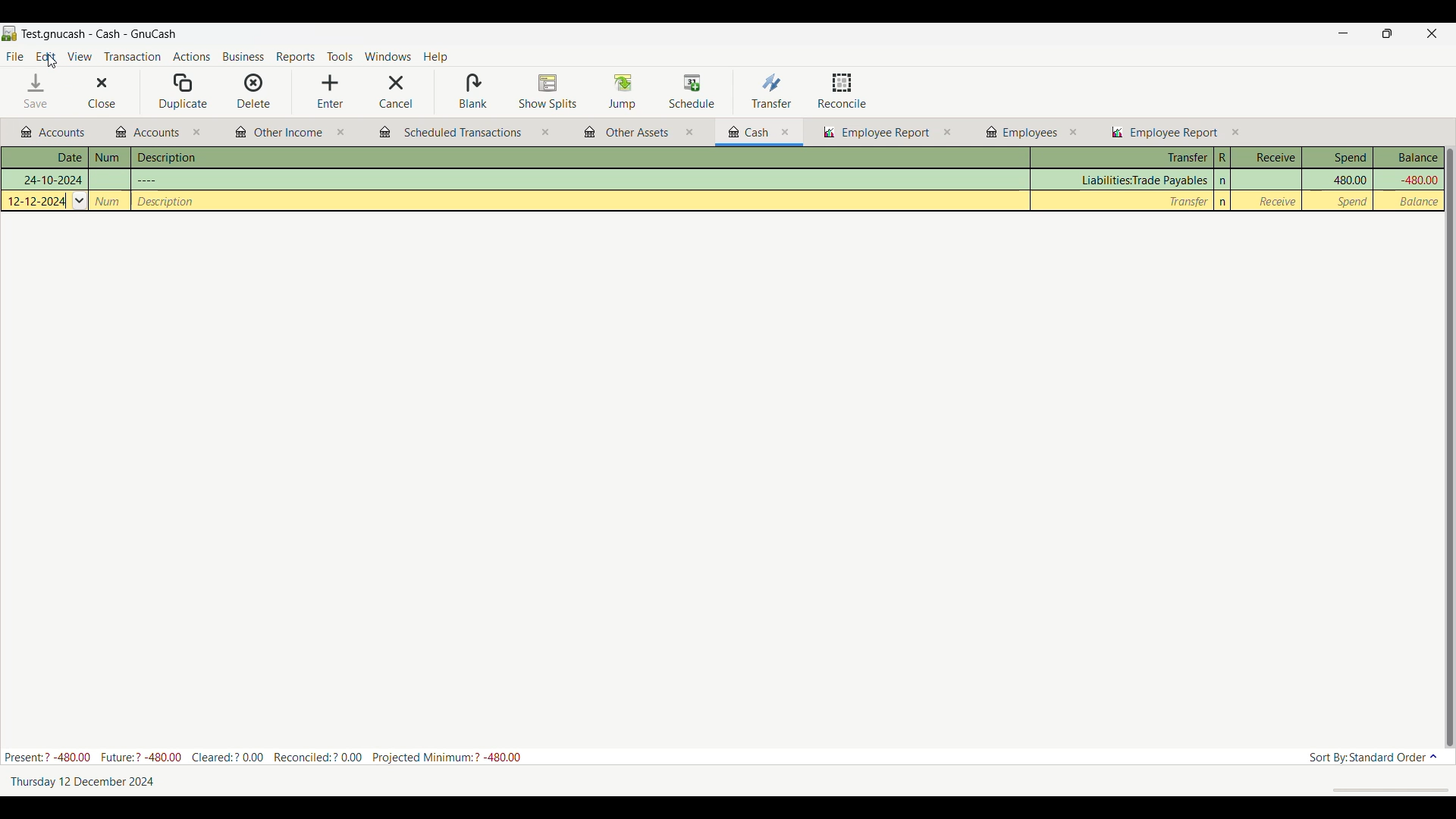  What do you see at coordinates (544, 130) in the screenshot?
I see `close` at bounding box center [544, 130].